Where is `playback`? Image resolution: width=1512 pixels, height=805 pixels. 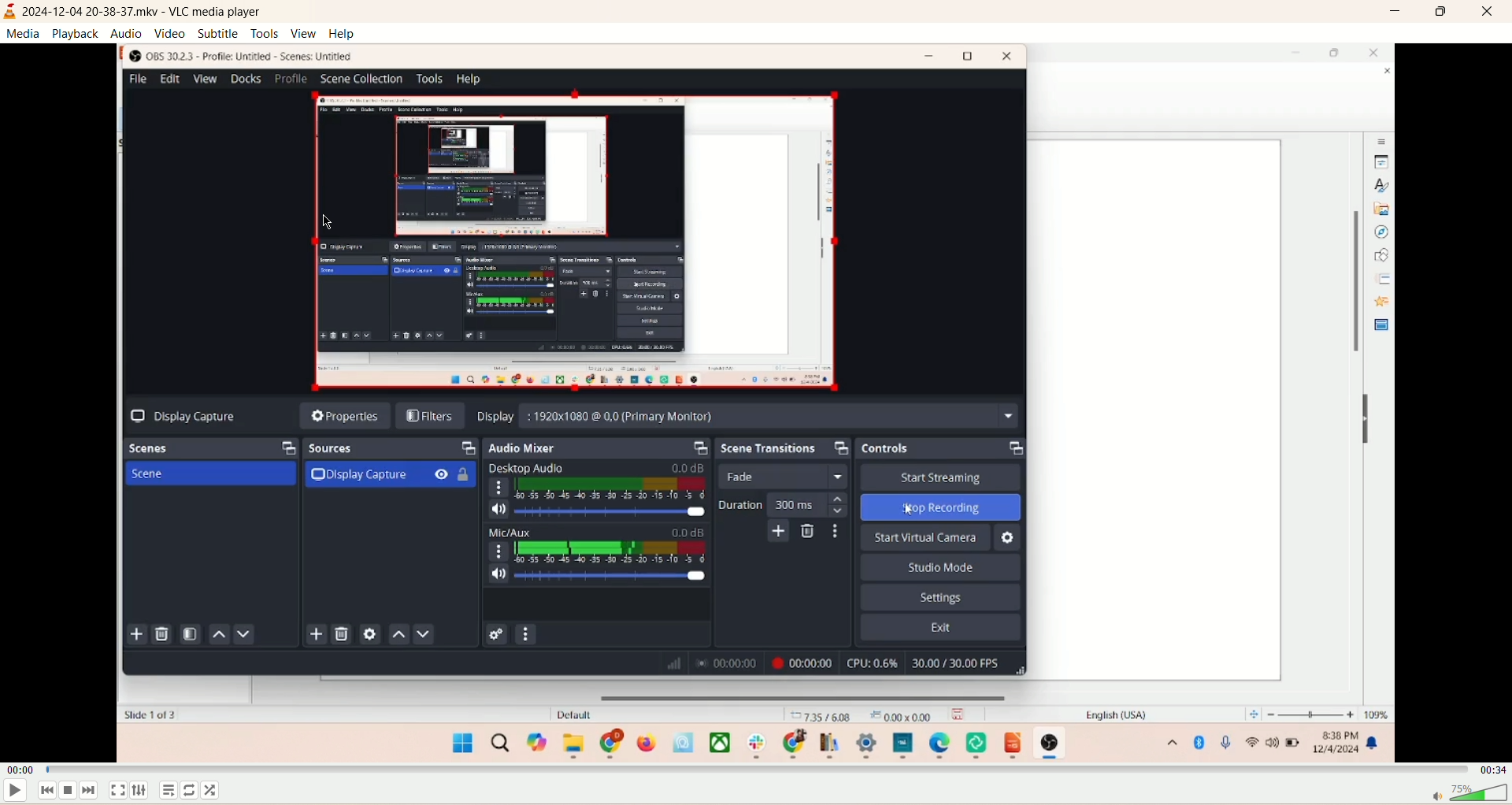
playback is located at coordinates (73, 35).